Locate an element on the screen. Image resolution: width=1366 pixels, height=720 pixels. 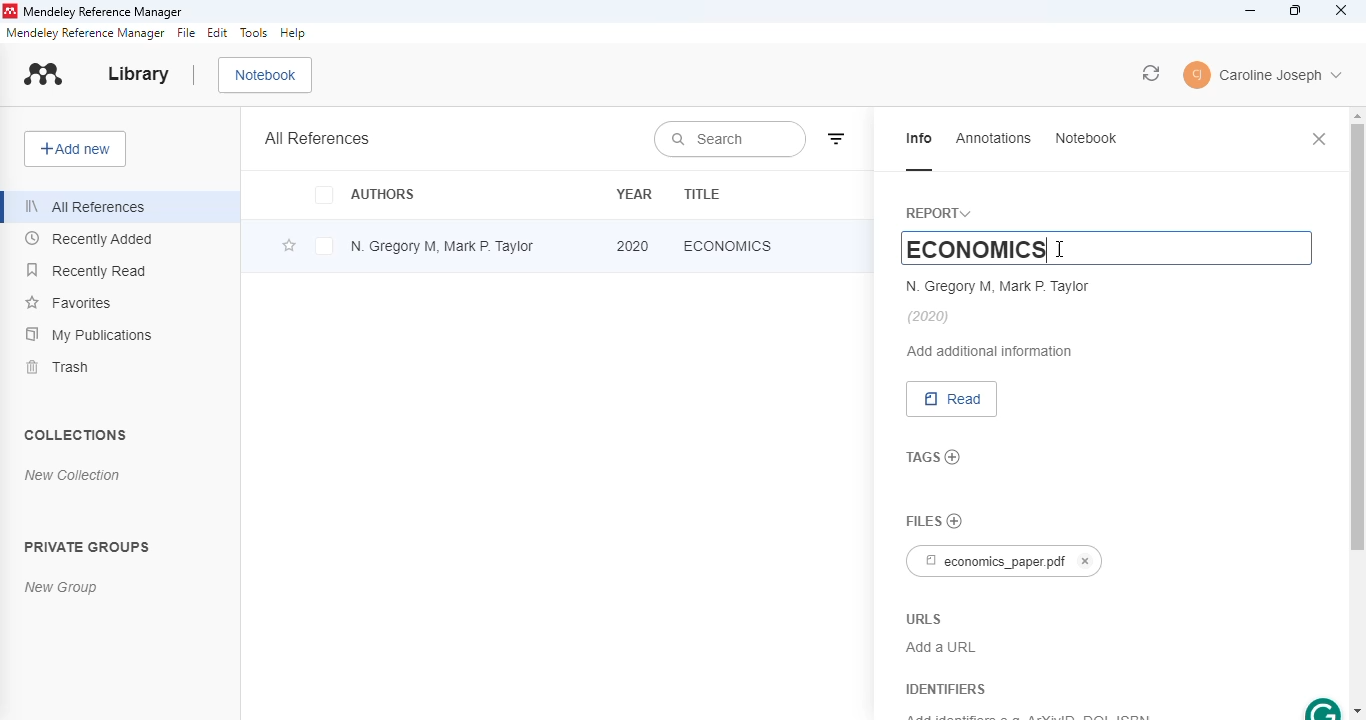
private groups is located at coordinates (88, 547).